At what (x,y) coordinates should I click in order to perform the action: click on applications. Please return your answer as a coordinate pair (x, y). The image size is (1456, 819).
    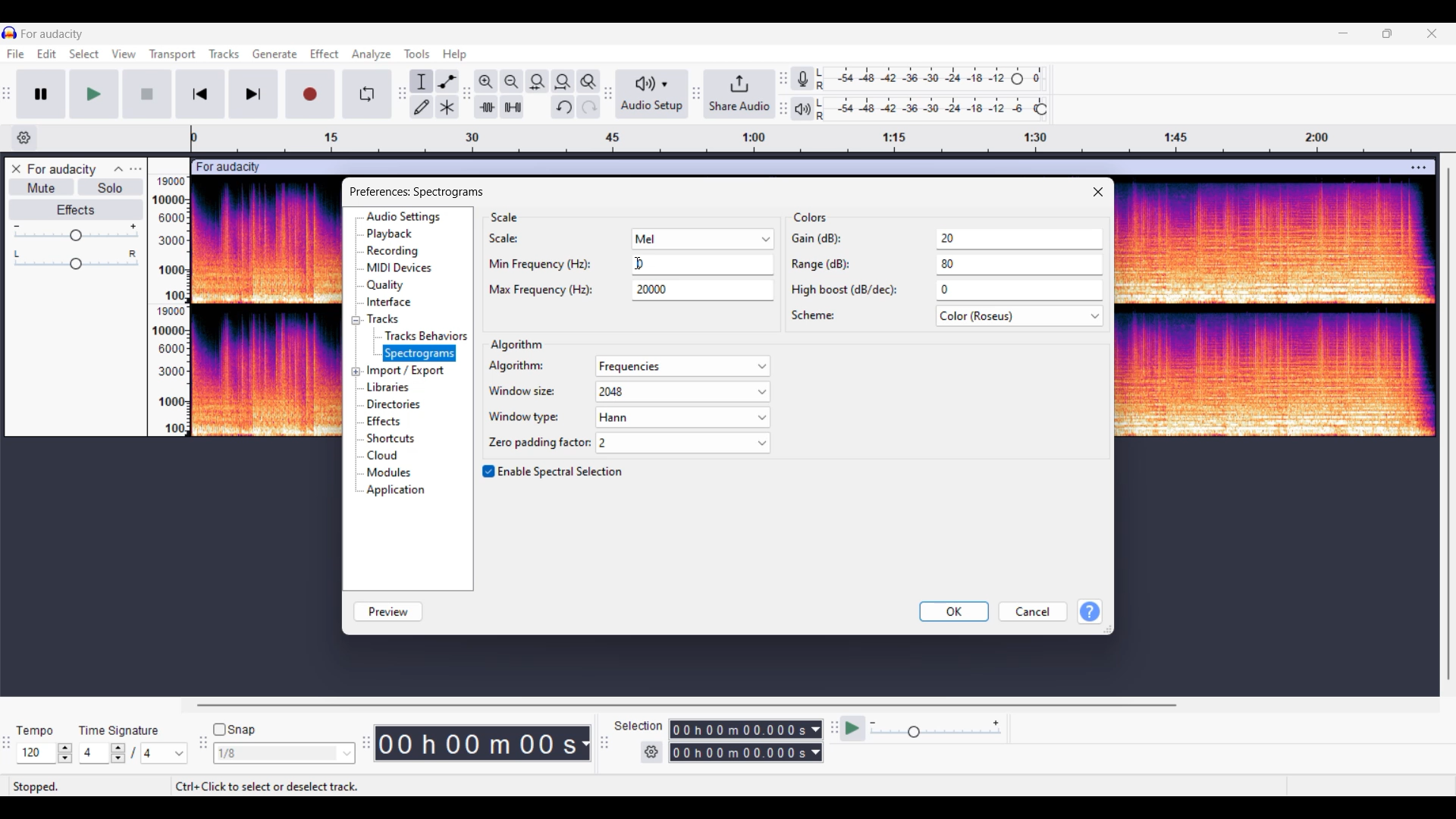
    Looking at the image, I should click on (398, 491).